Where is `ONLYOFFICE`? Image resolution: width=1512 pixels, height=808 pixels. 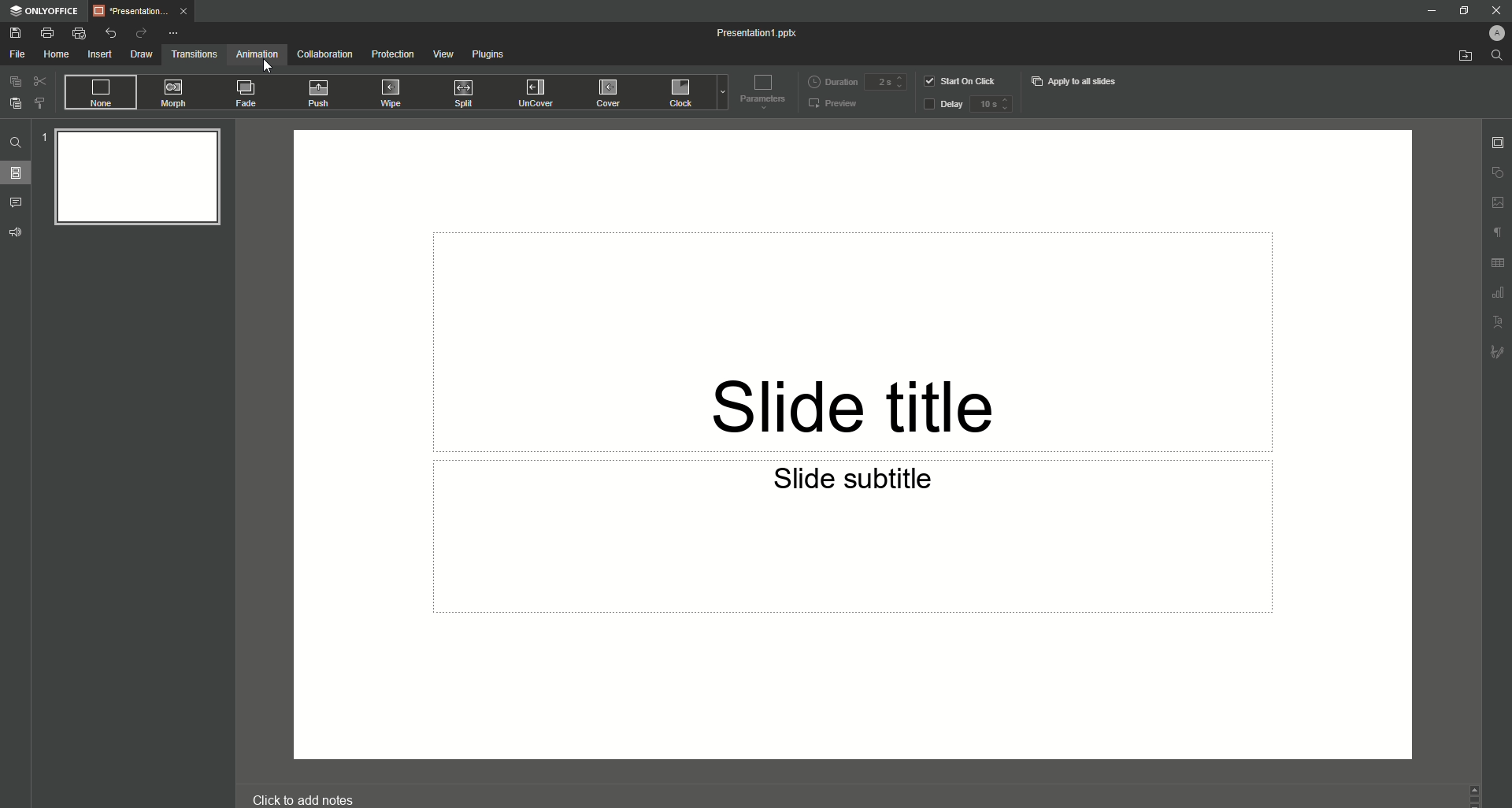
ONLYOFFICE is located at coordinates (43, 11).